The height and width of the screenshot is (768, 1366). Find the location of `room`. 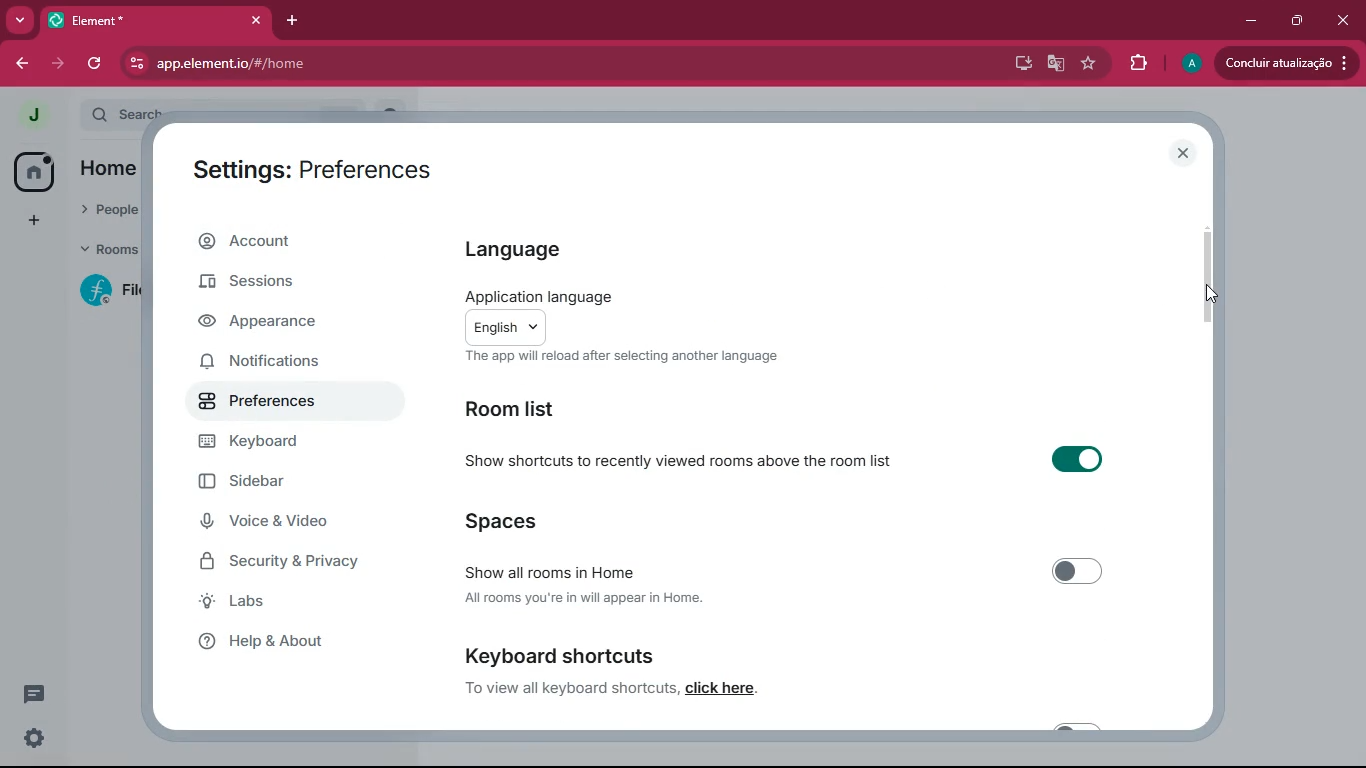

room is located at coordinates (106, 290).